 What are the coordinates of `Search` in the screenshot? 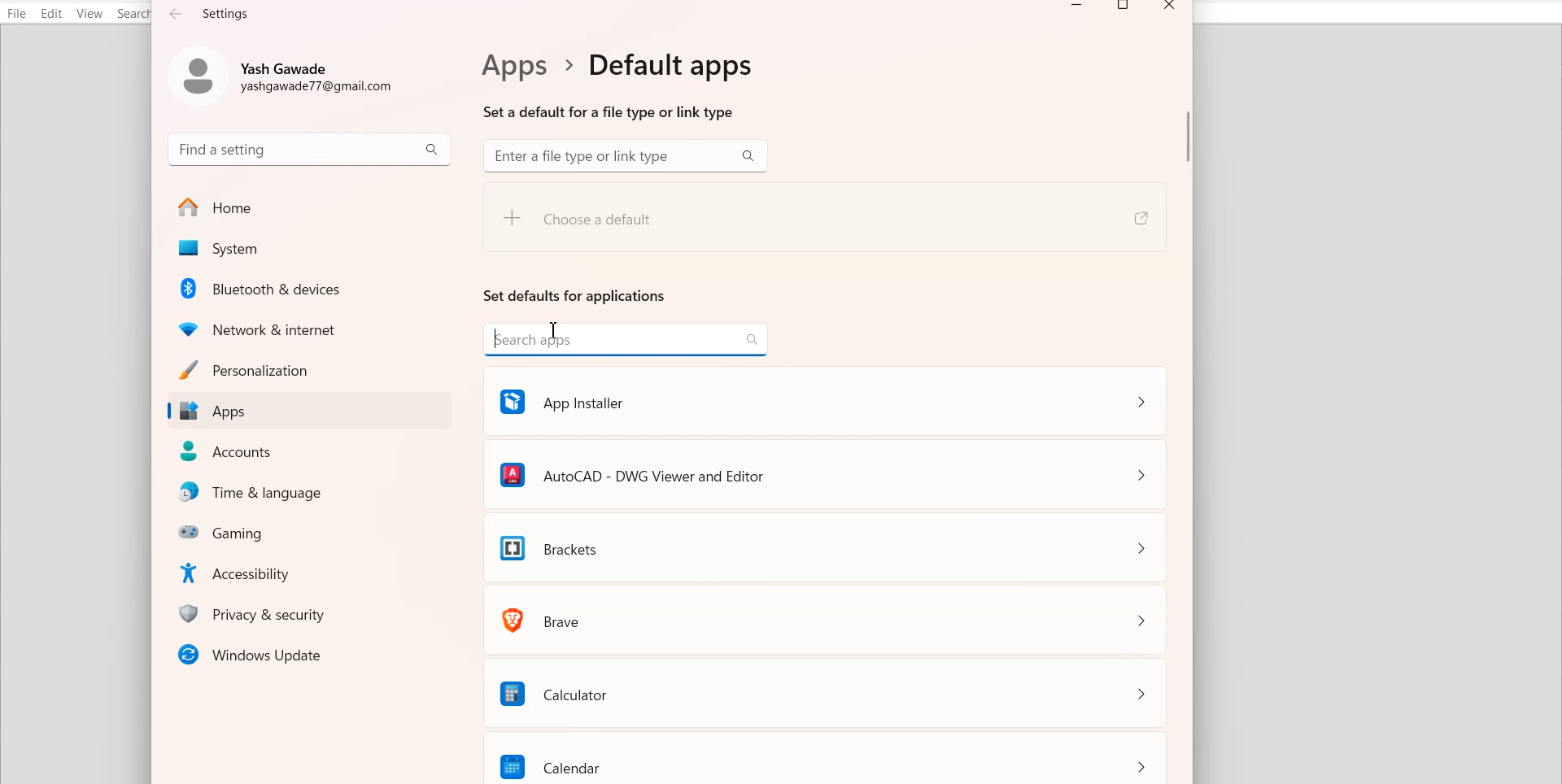 It's located at (135, 14).